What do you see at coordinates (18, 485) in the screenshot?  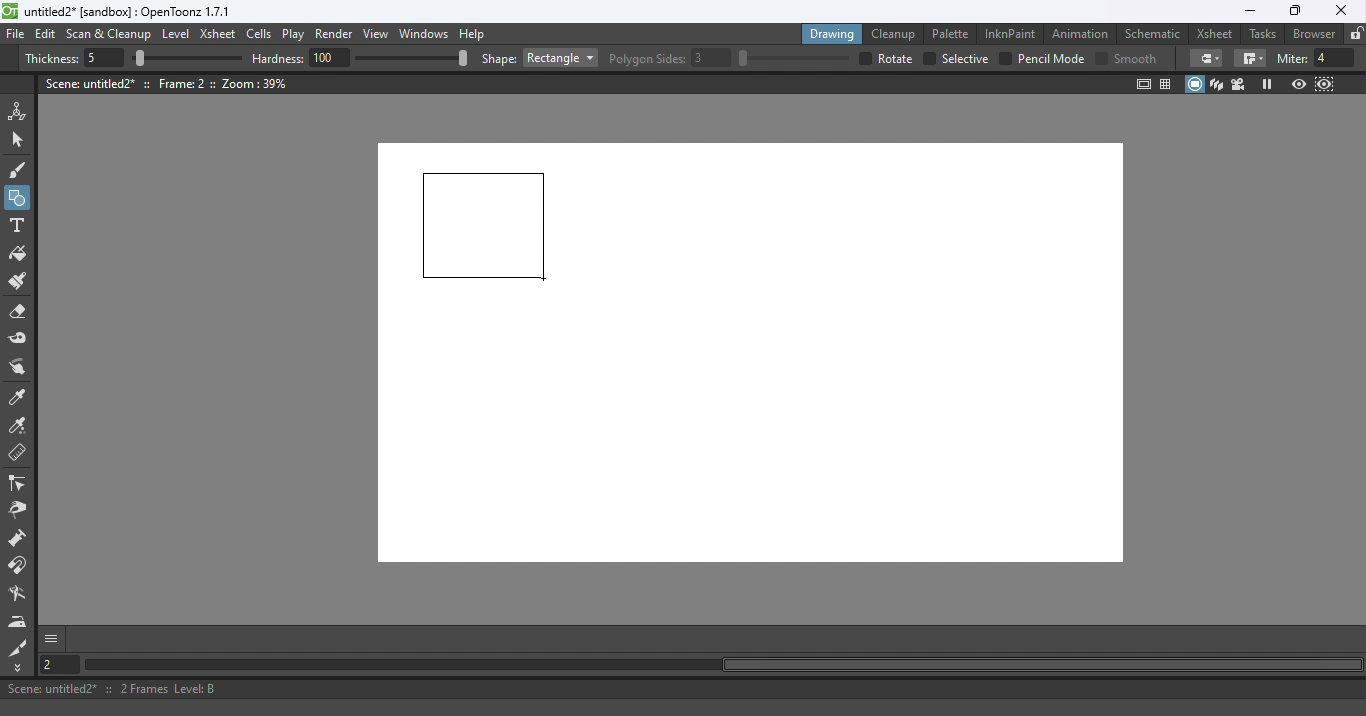 I see `Control point editor tool` at bounding box center [18, 485].